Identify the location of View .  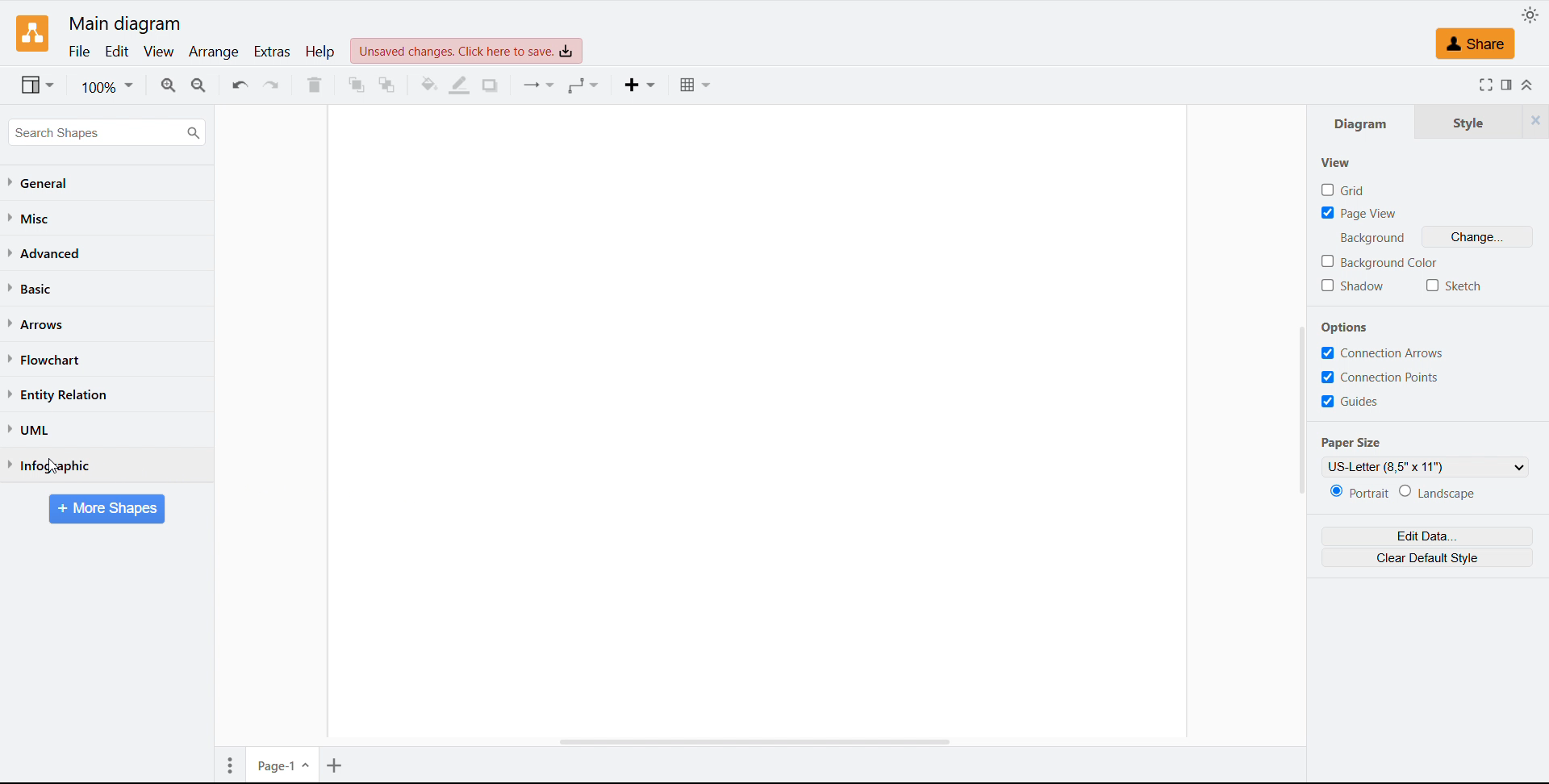
(1334, 163).